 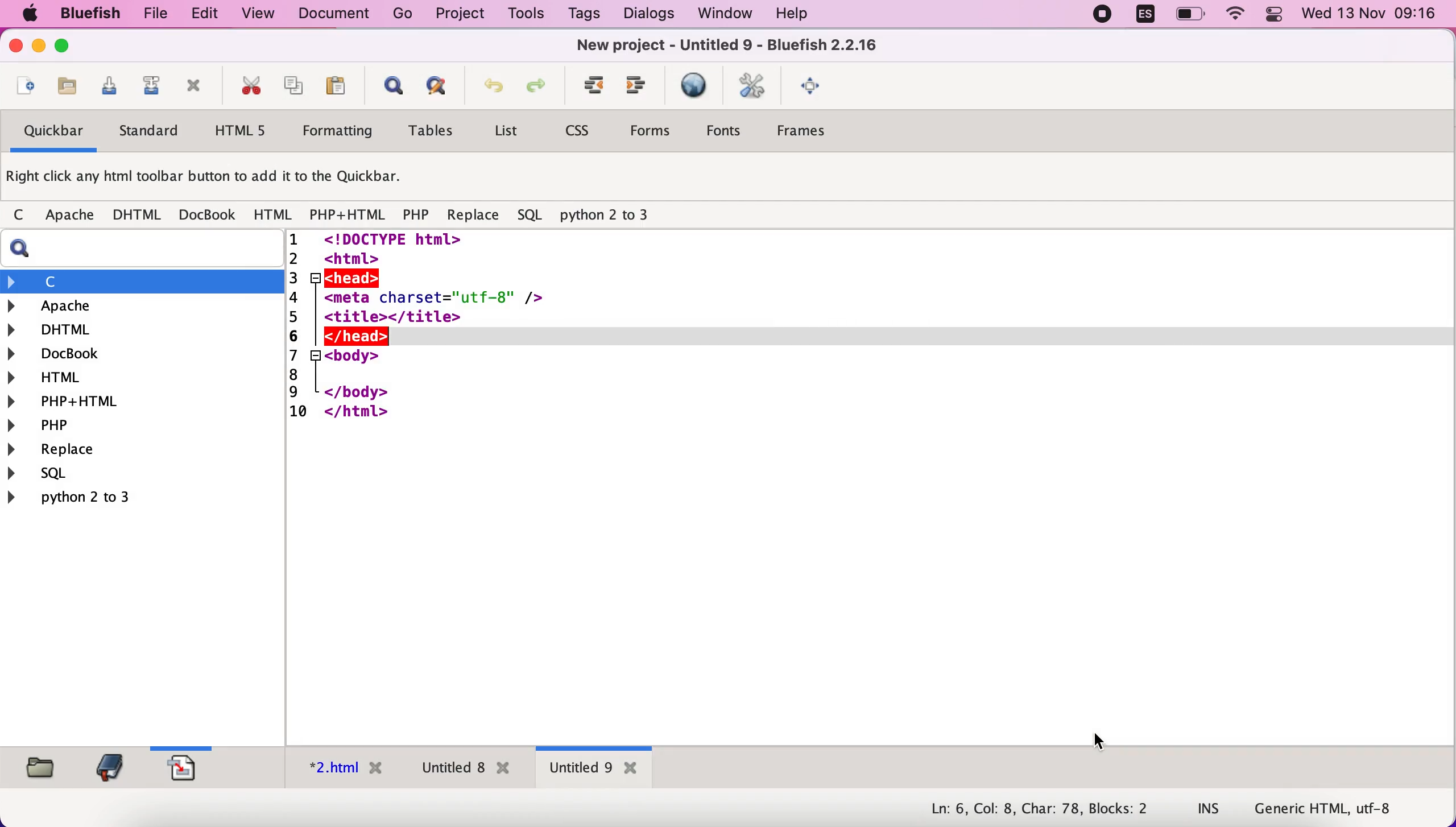 I want to click on HTML CODE Template, so click(x=872, y=489).